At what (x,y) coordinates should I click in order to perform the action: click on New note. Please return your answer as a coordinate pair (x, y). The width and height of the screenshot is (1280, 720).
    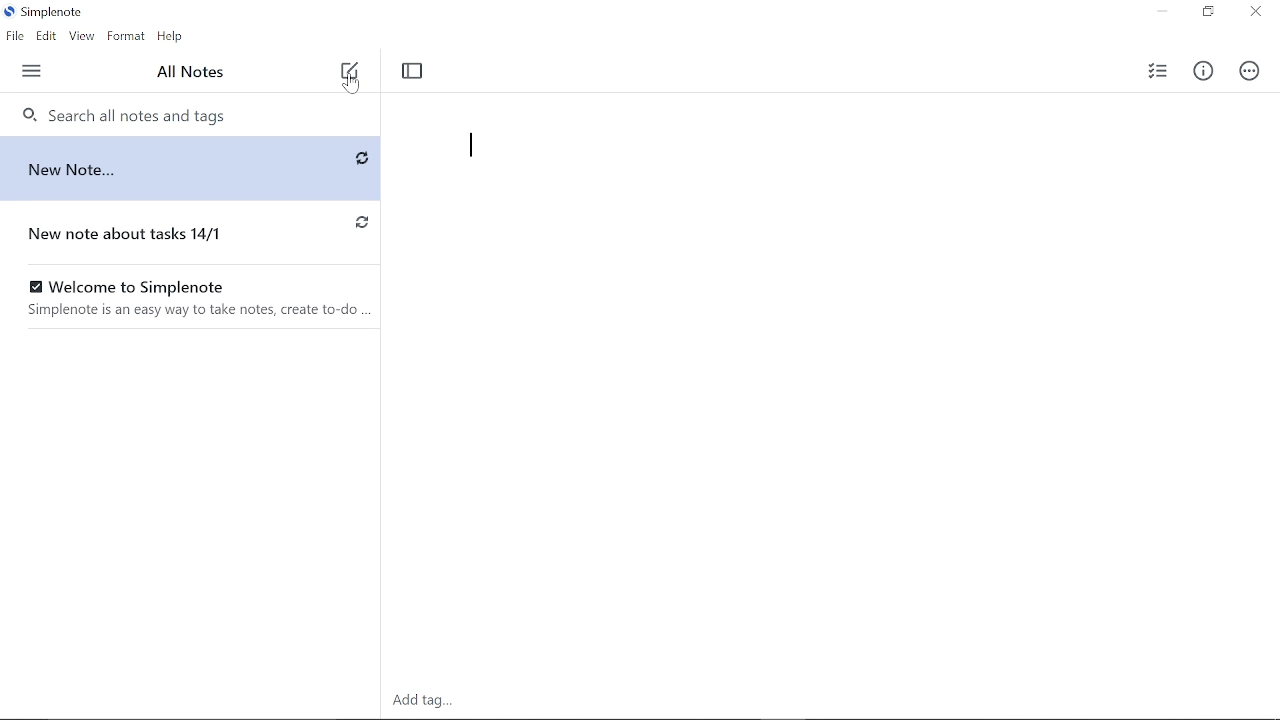
    Looking at the image, I should click on (349, 67).